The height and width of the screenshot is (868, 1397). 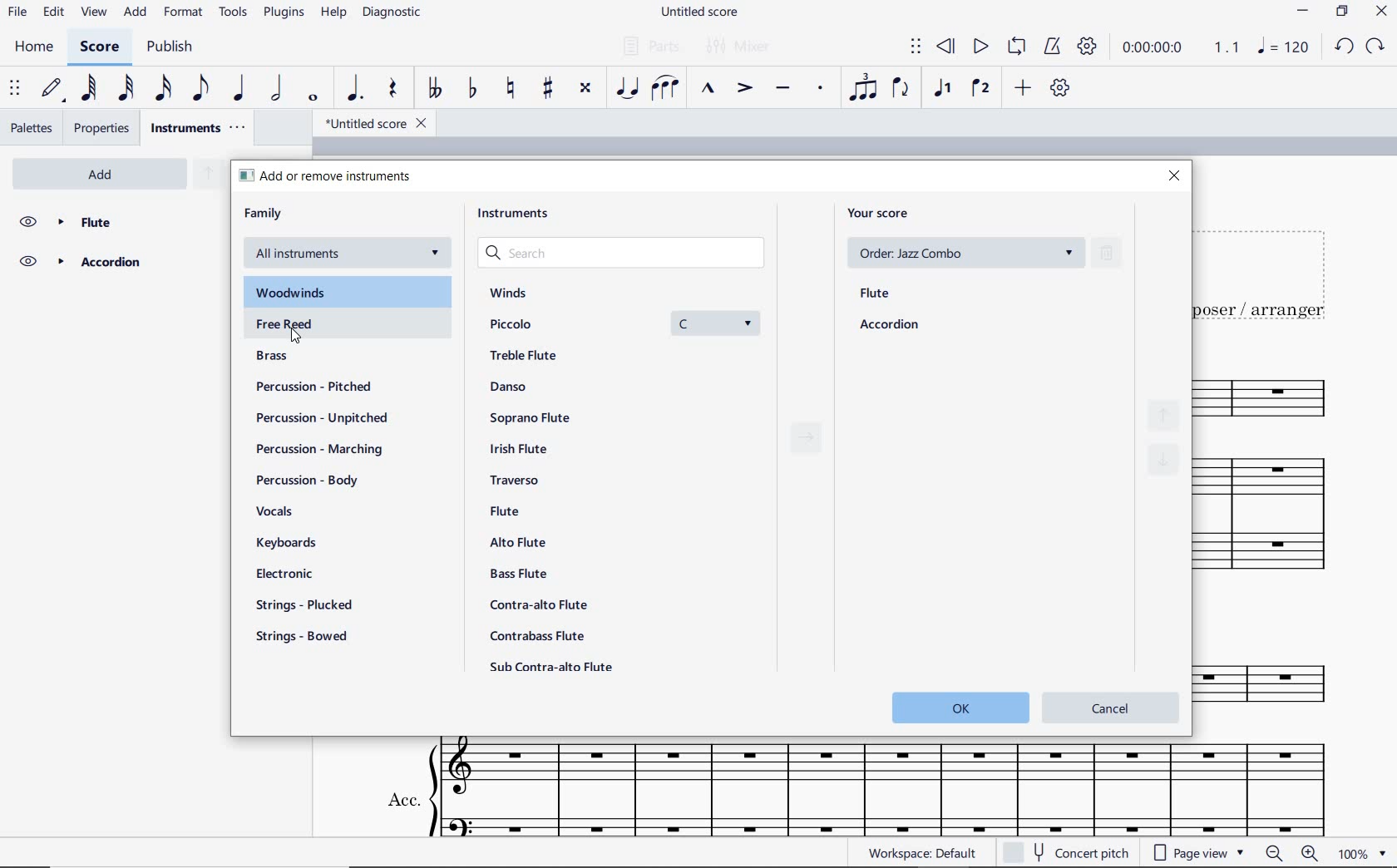 I want to click on rewind, so click(x=949, y=47).